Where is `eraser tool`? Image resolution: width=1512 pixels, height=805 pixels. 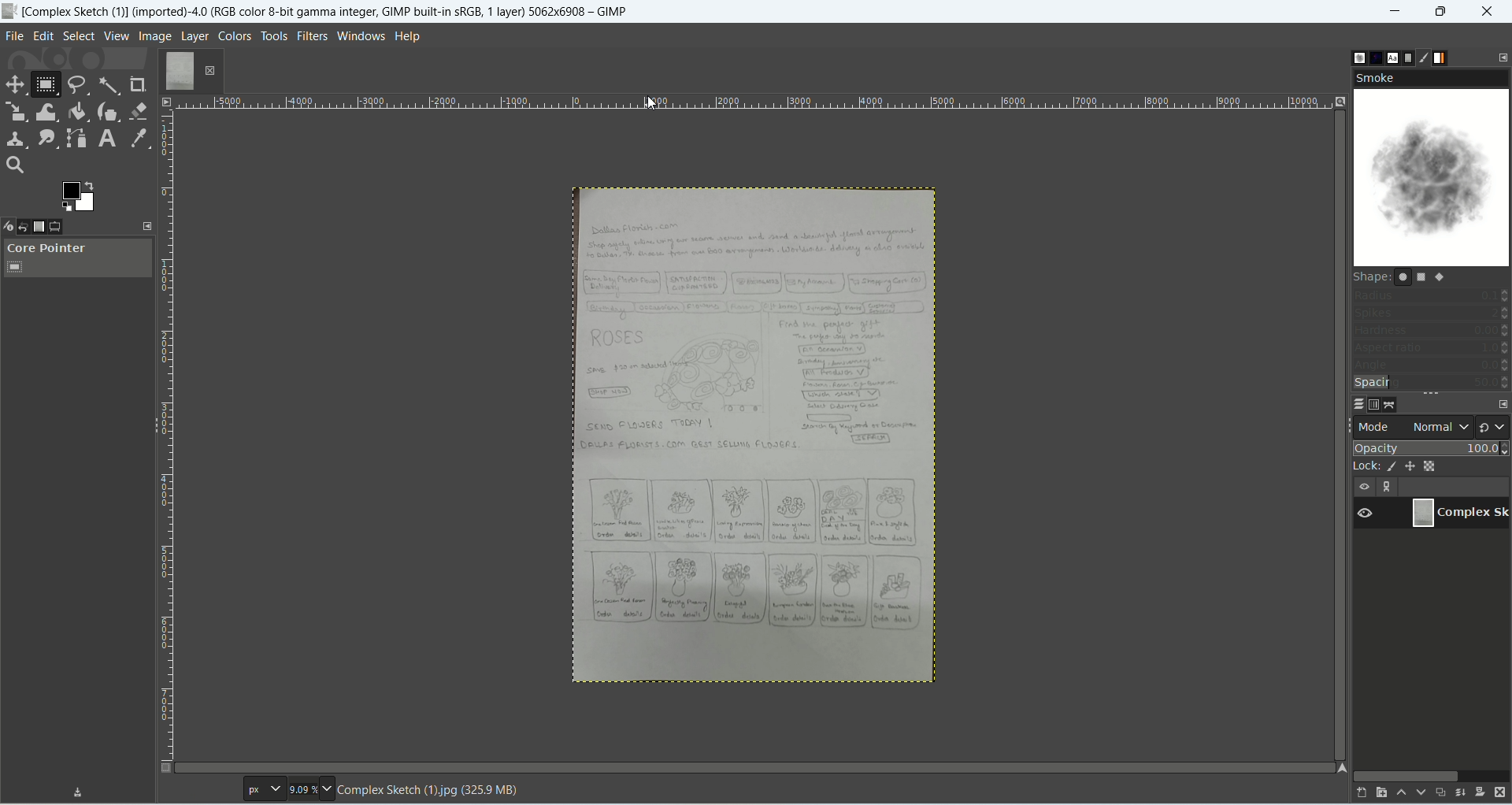 eraser tool is located at coordinates (139, 112).